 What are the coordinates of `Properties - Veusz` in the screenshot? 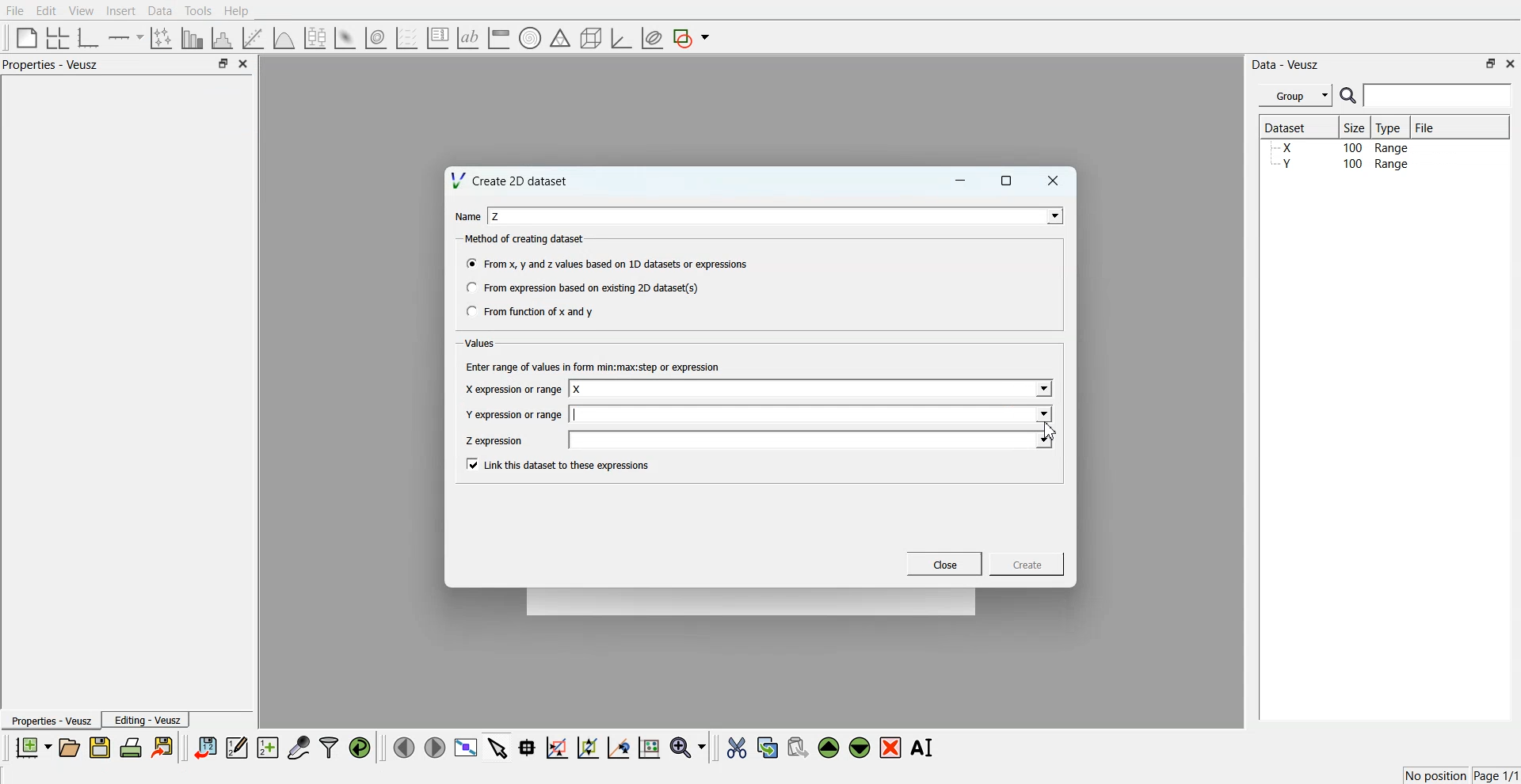 It's located at (50, 720).